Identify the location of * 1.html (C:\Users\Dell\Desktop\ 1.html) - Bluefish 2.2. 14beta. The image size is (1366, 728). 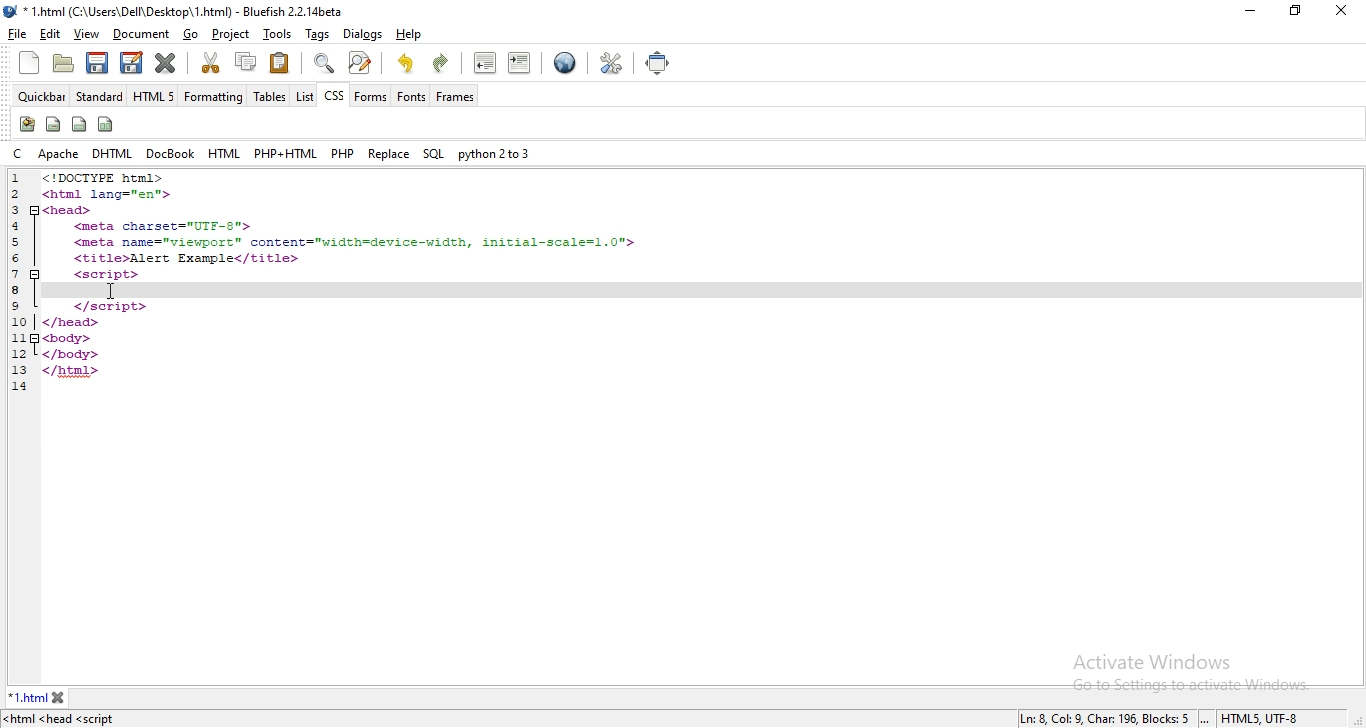
(190, 12).